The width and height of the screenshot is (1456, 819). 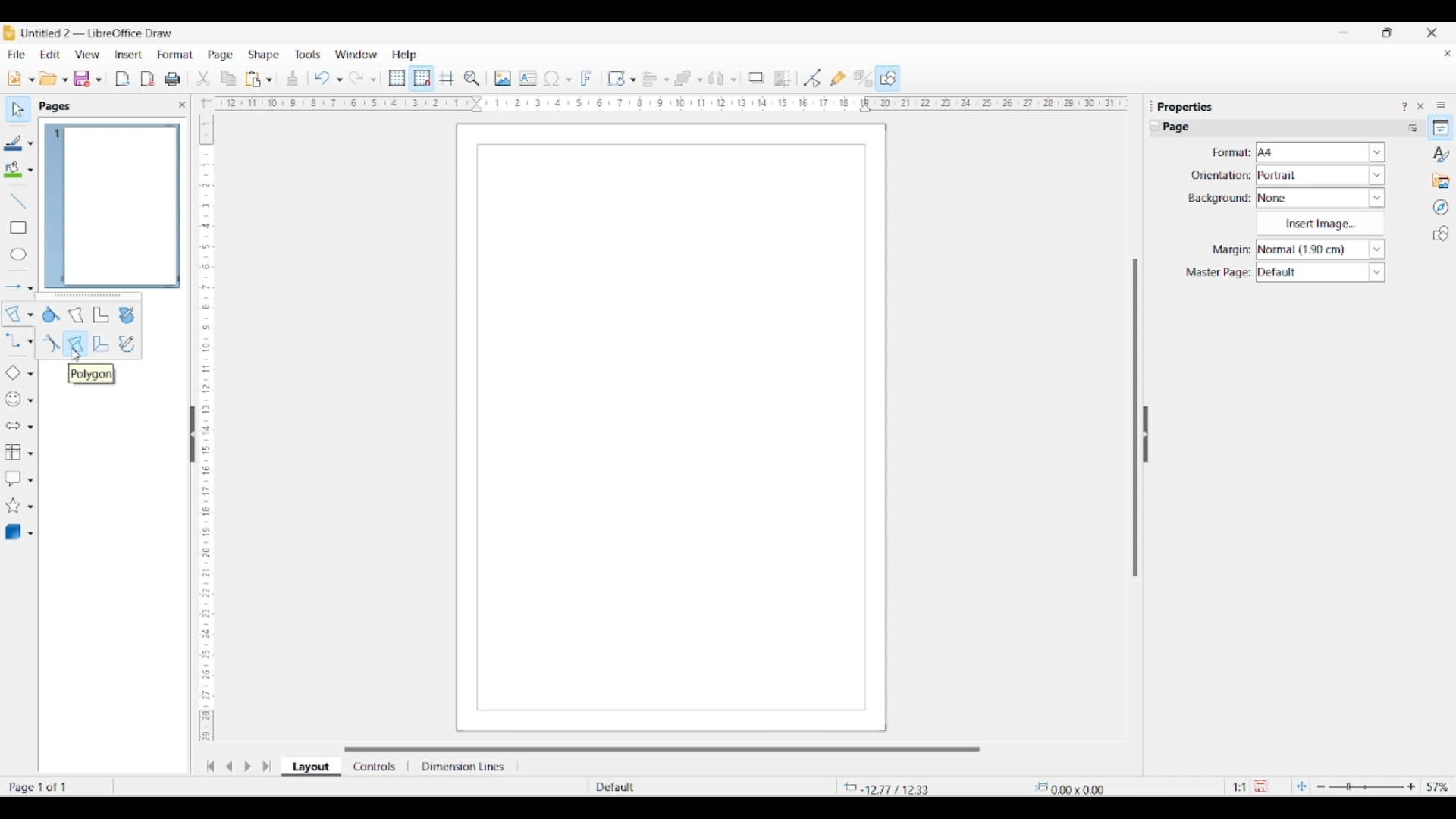 I want to click on Selected line color, so click(x=14, y=143).